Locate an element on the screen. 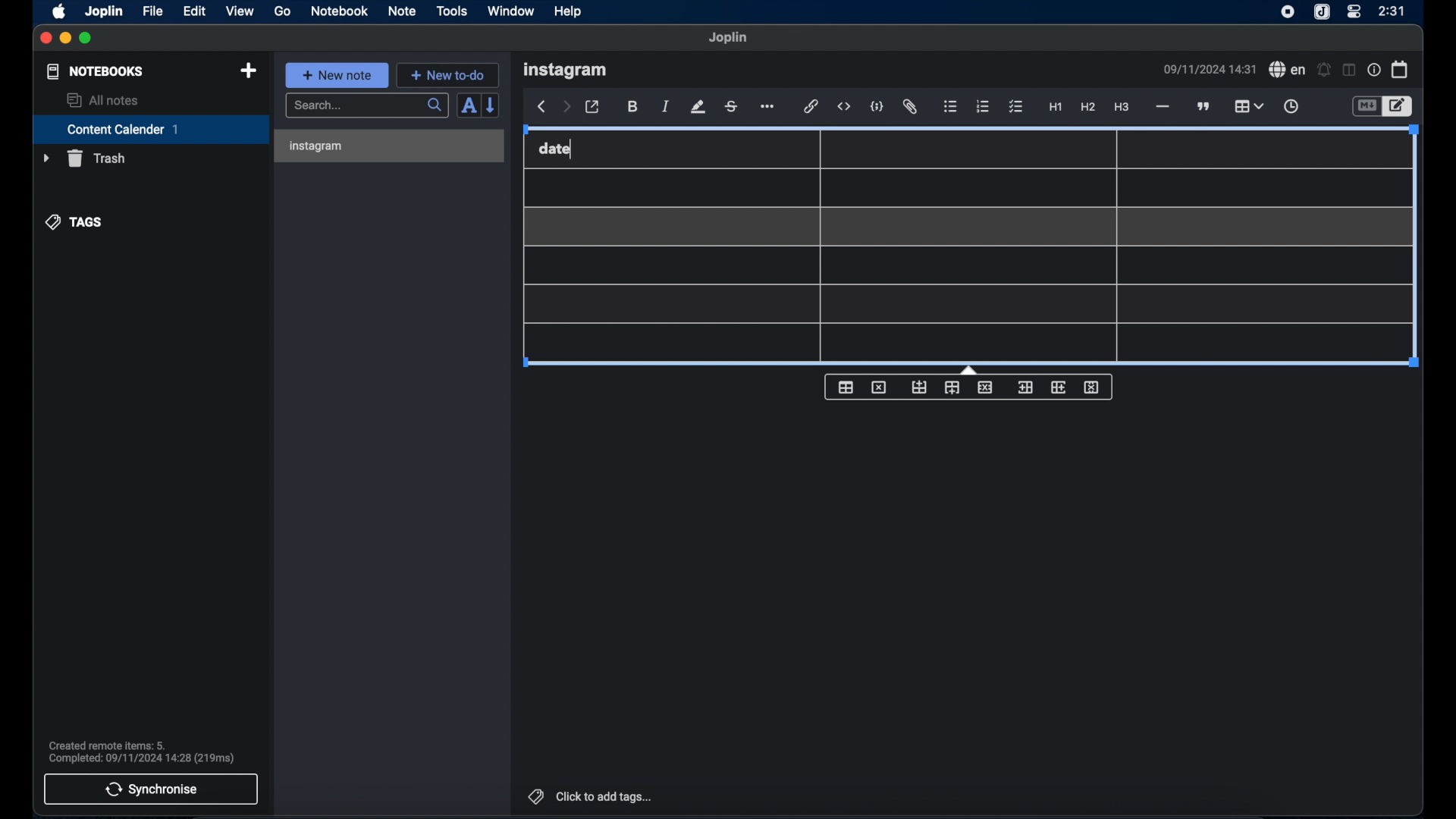  instagram is located at coordinates (565, 71).